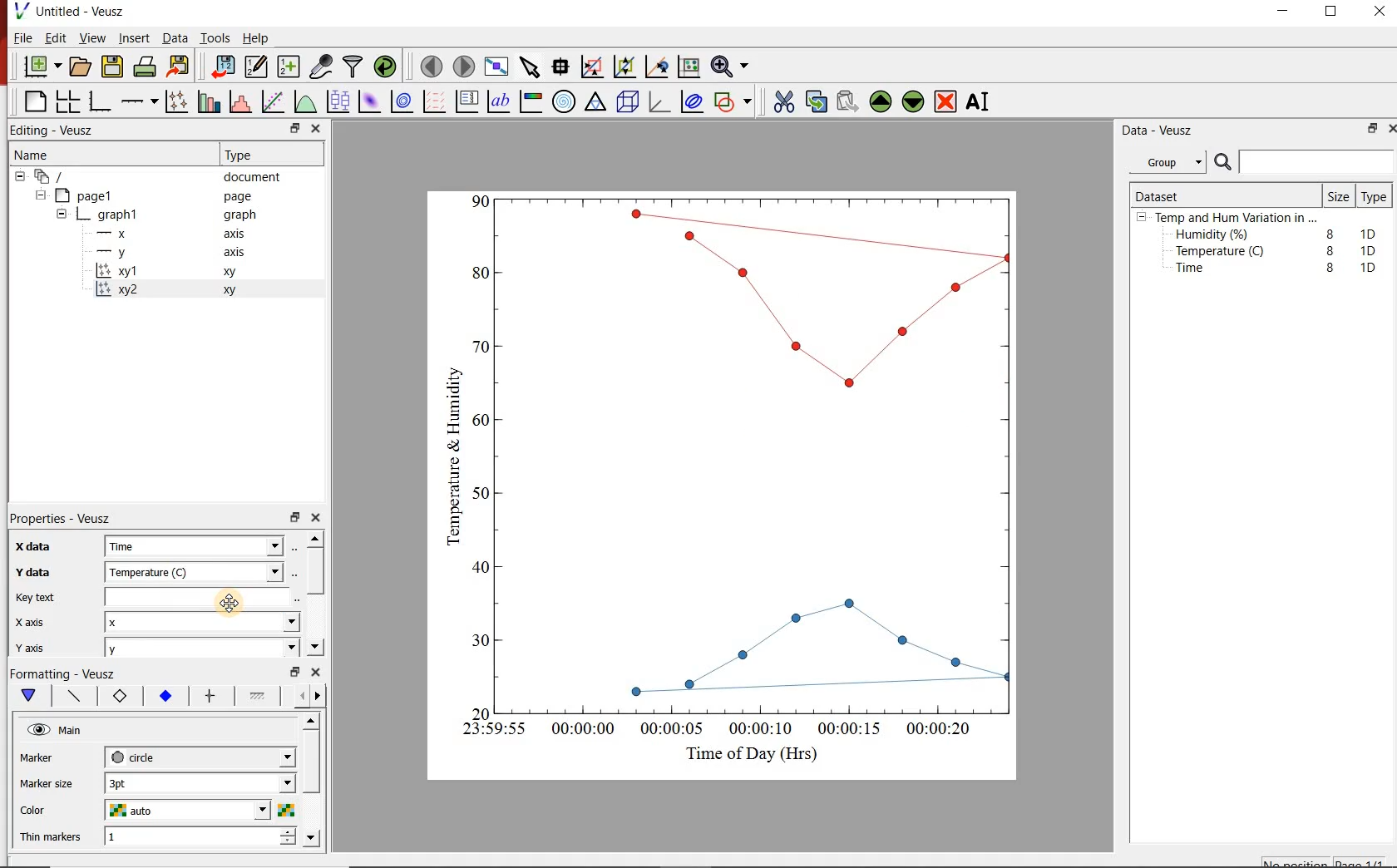 The width and height of the screenshot is (1397, 868). I want to click on 3pt, so click(137, 782).